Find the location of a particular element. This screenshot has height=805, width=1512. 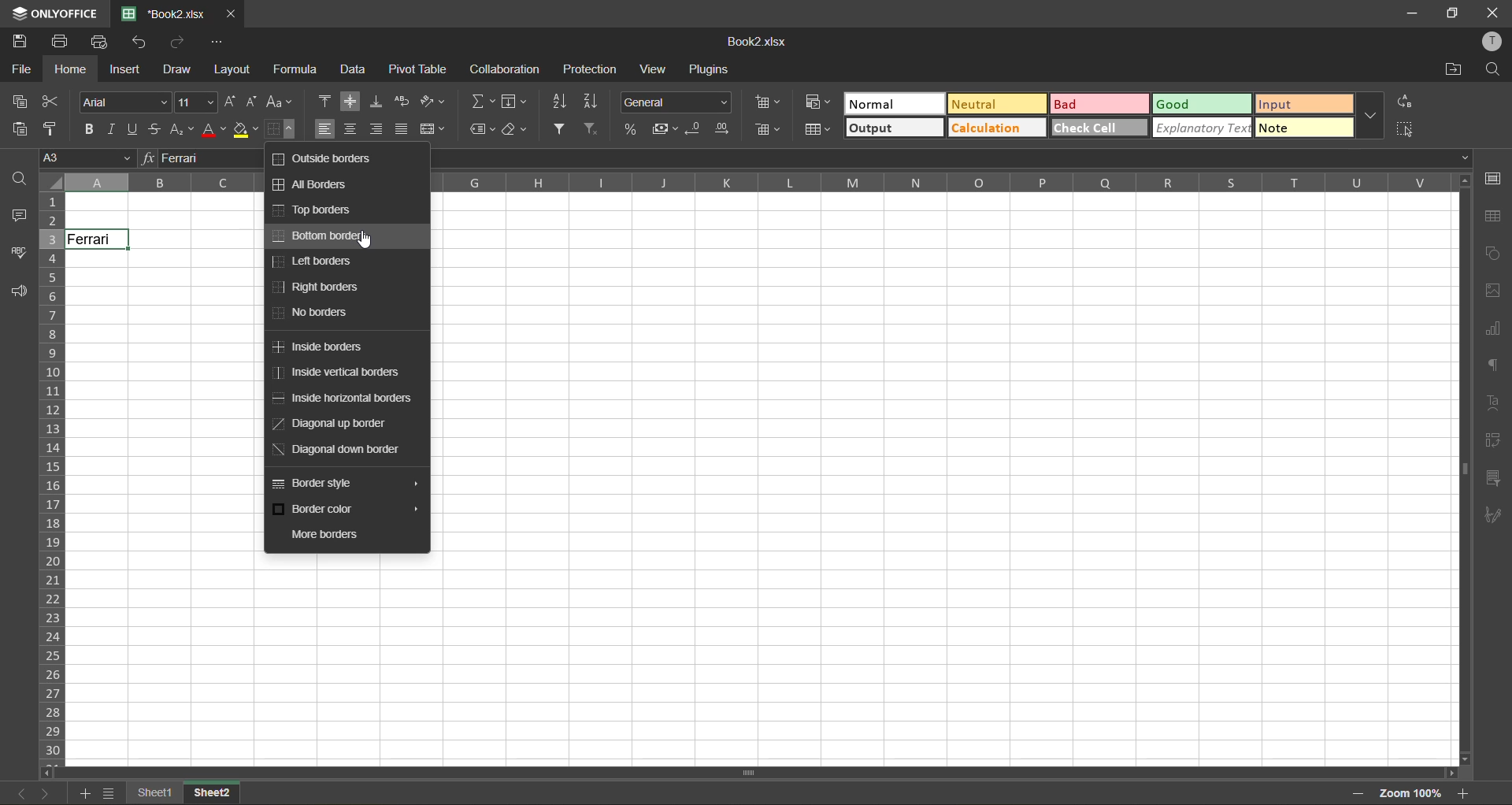

neutral is located at coordinates (995, 104).